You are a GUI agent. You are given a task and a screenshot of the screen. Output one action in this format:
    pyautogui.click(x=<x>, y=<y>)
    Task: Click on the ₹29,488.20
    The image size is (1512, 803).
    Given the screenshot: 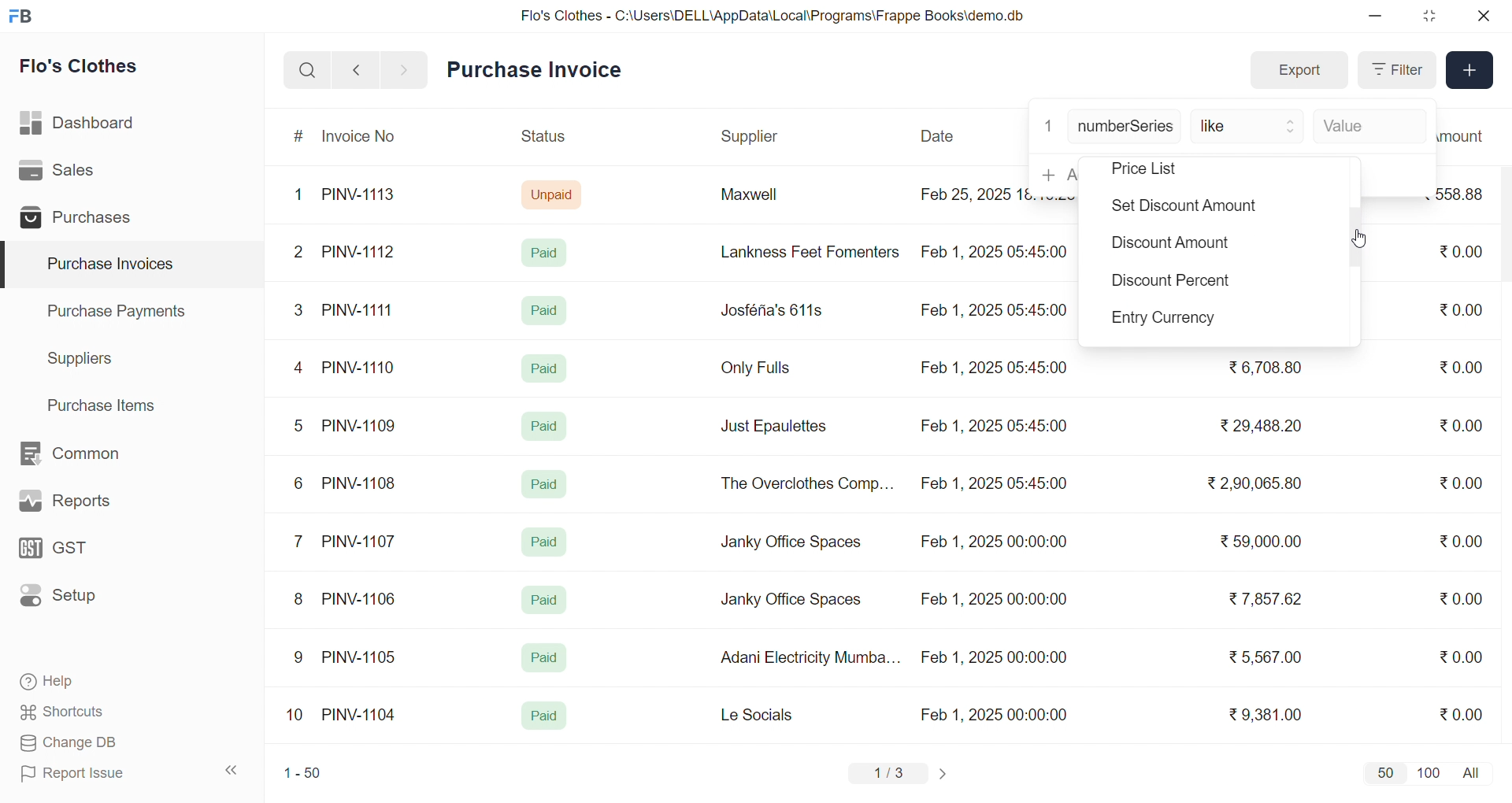 What is the action you would take?
    pyautogui.click(x=1256, y=426)
    